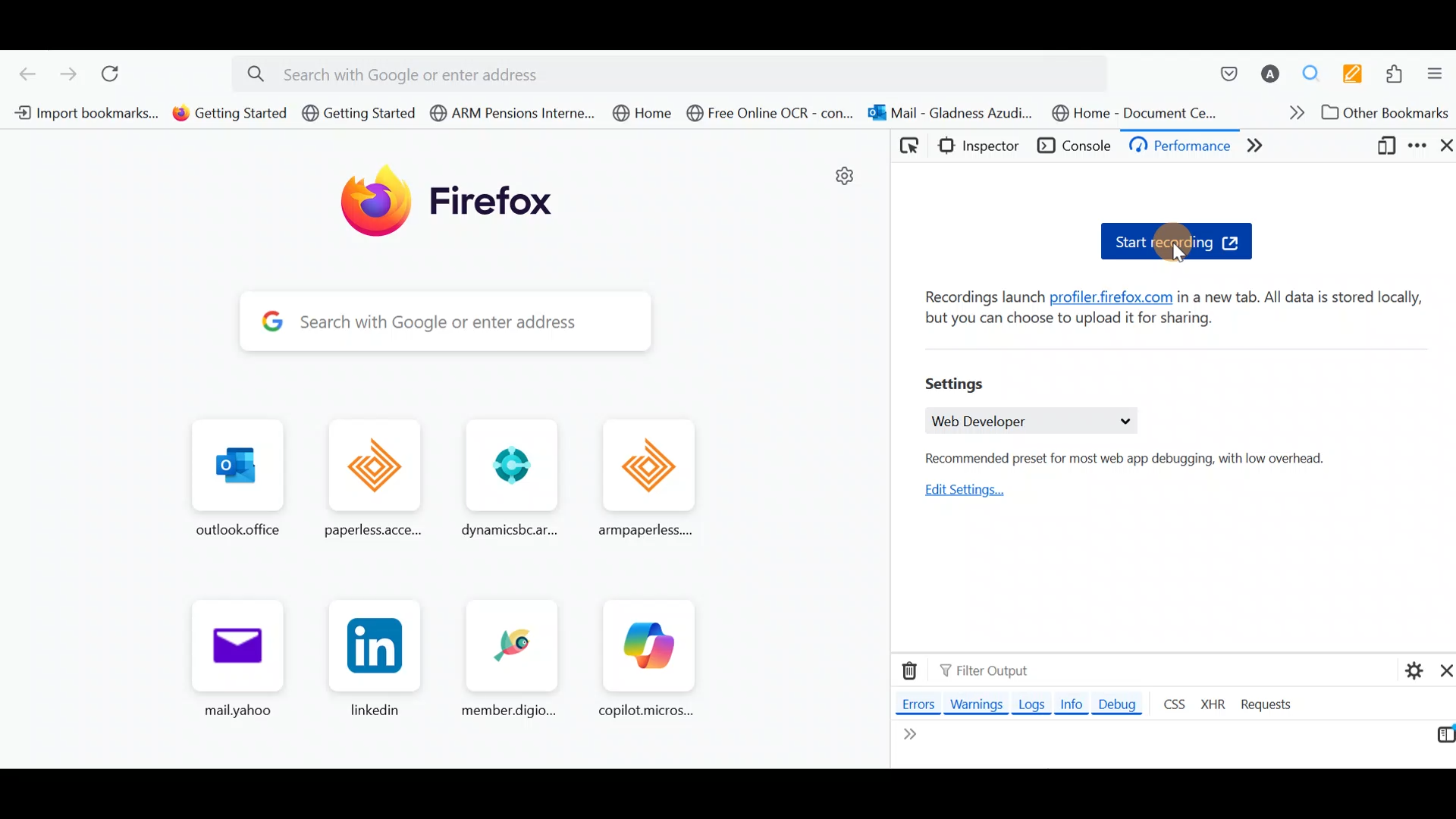 The image size is (1456, 819). Describe the element at coordinates (22, 73) in the screenshot. I see `Go back one page` at that location.